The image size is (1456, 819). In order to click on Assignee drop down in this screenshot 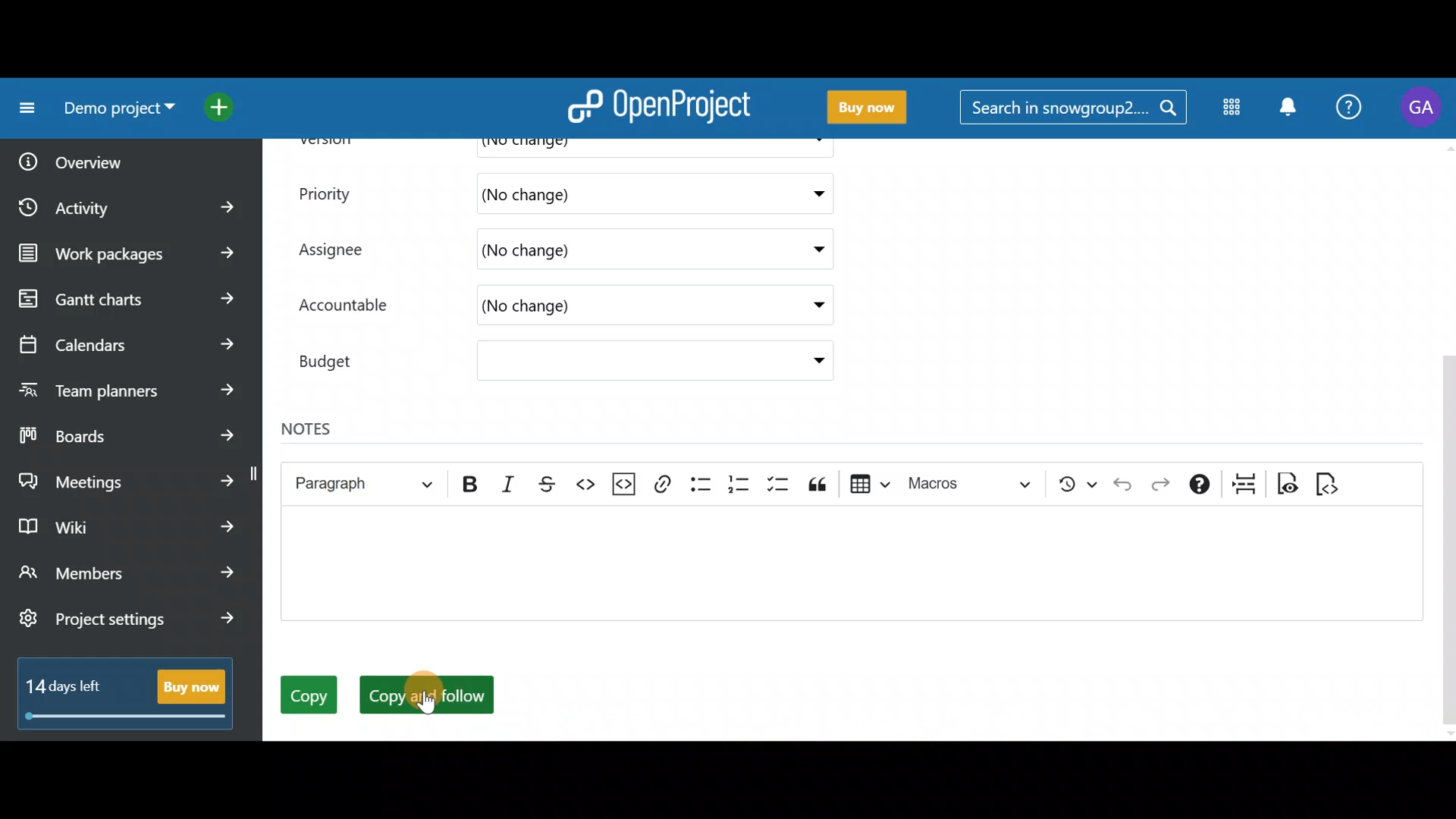, I will do `click(820, 249)`.